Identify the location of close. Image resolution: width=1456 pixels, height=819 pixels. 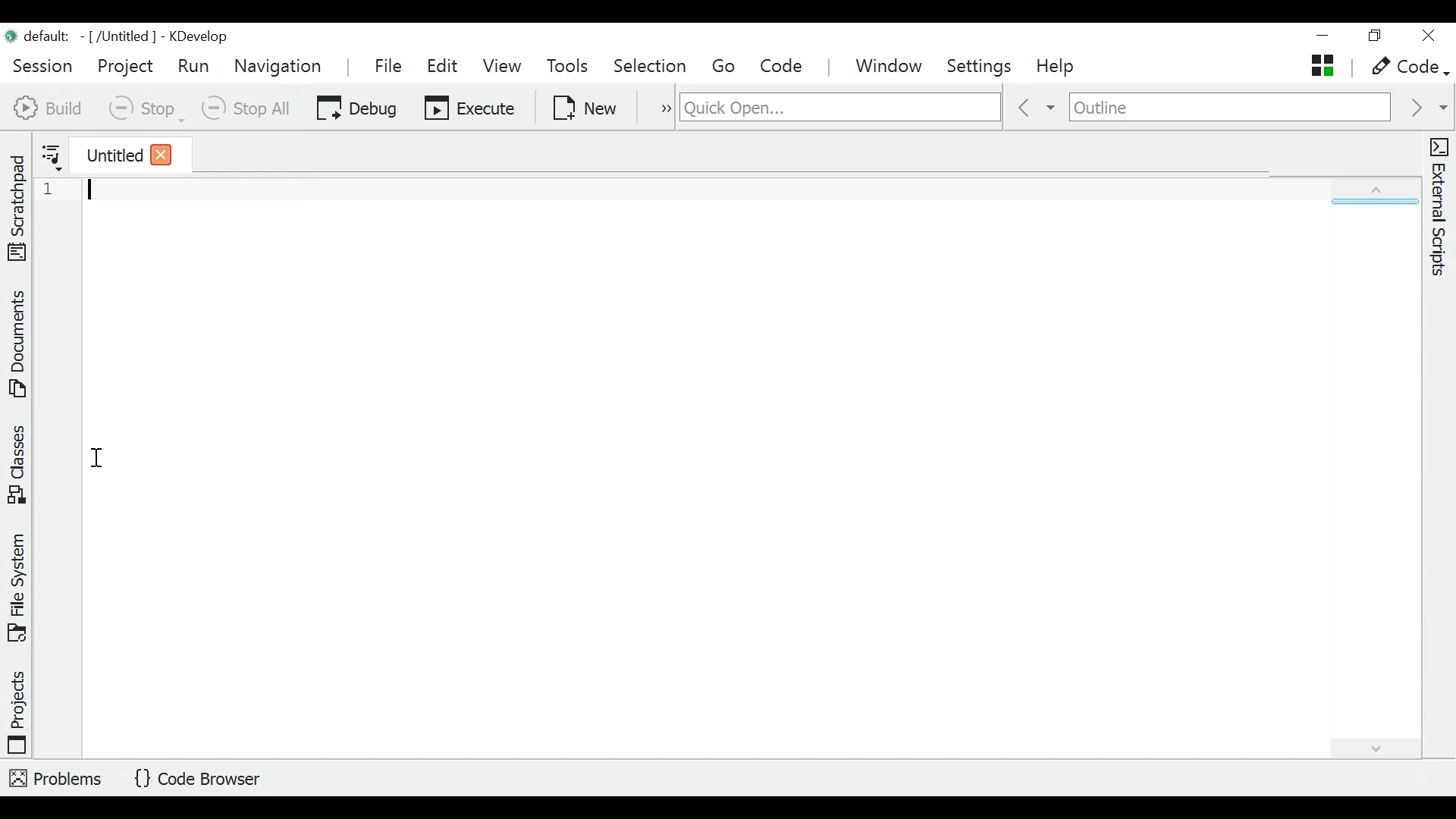
(1430, 36).